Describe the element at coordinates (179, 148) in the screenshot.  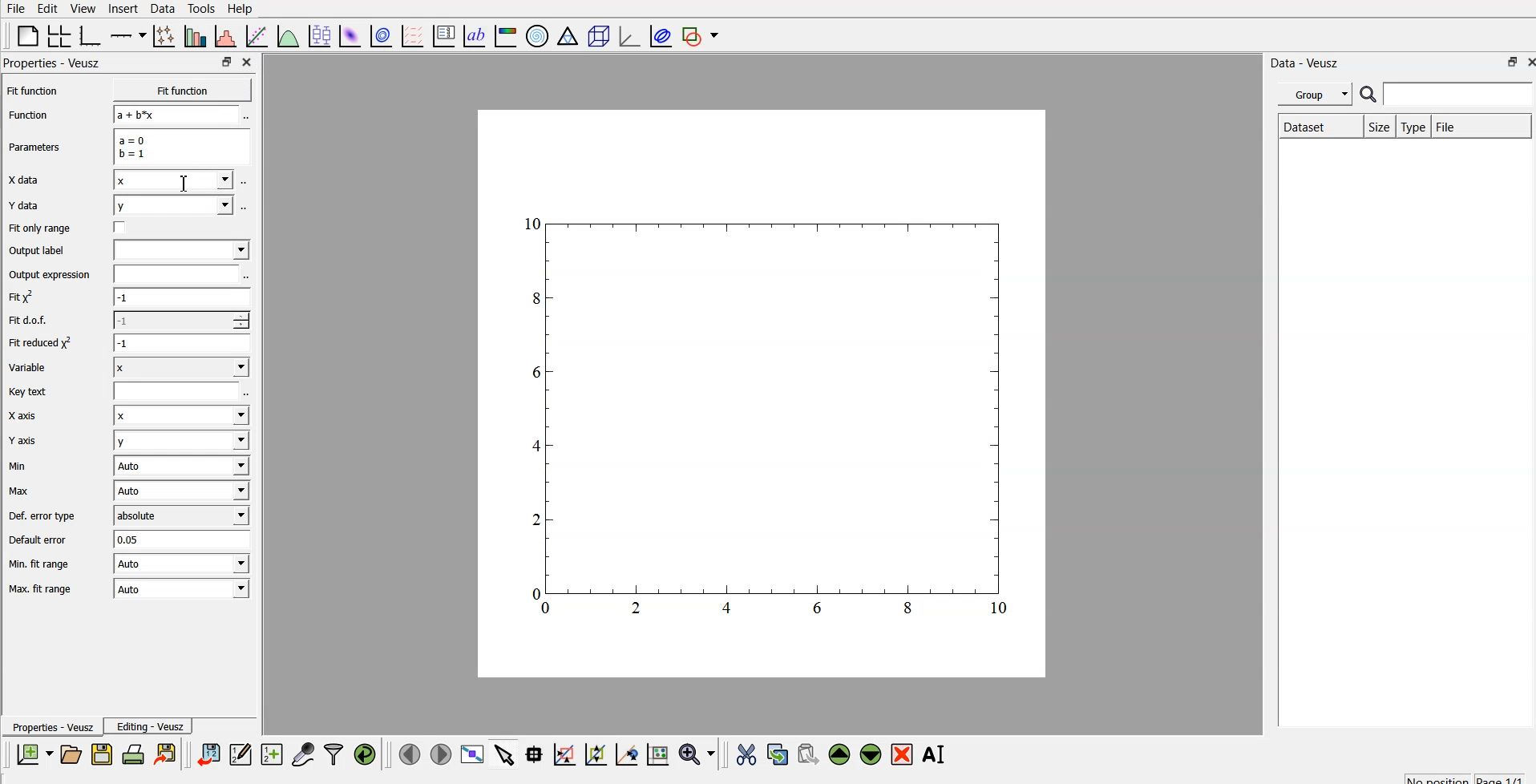
I see `a=0 b=1` at that location.